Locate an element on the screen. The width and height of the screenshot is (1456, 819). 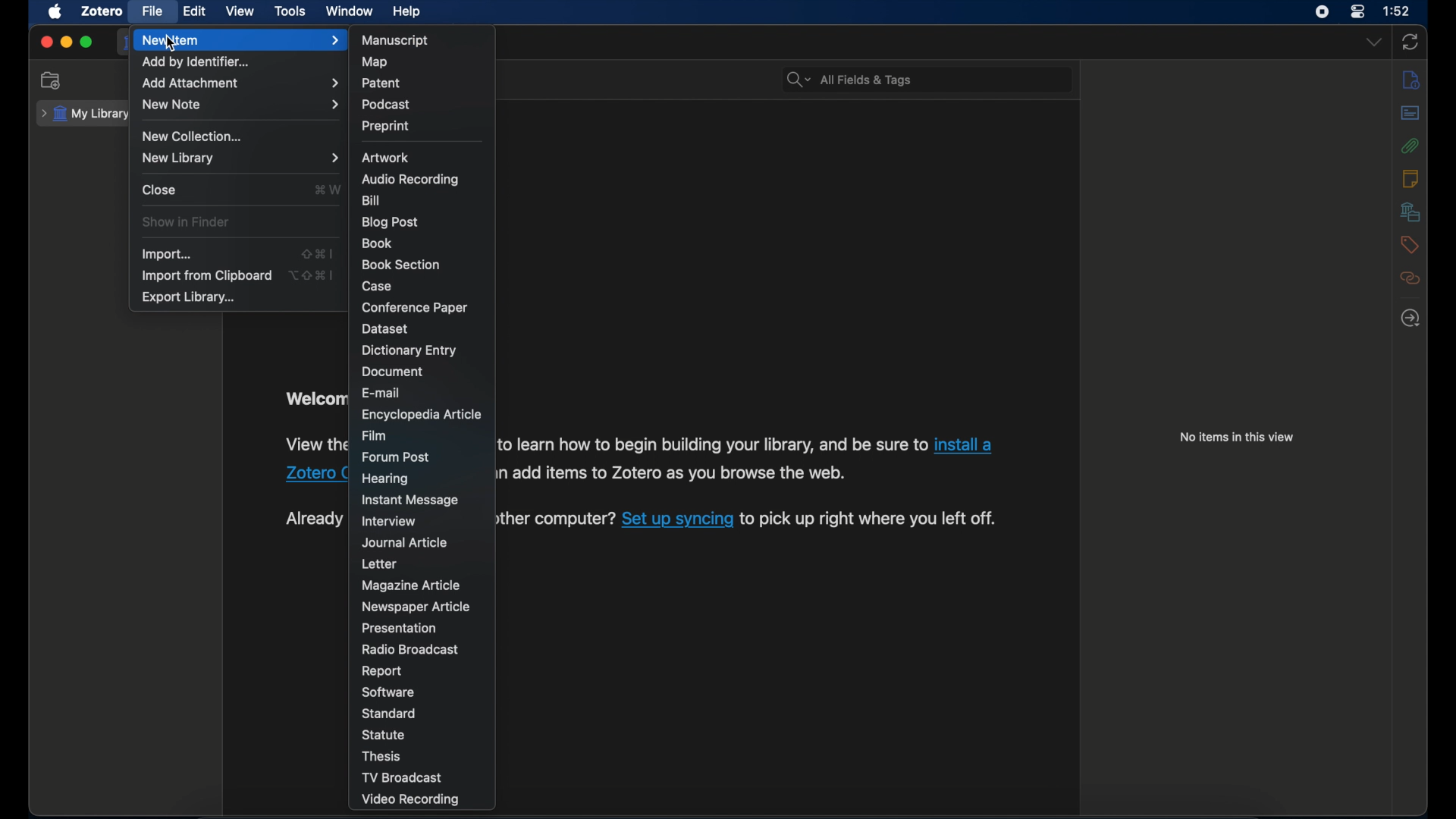
dataset is located at coordinates (388, 329).